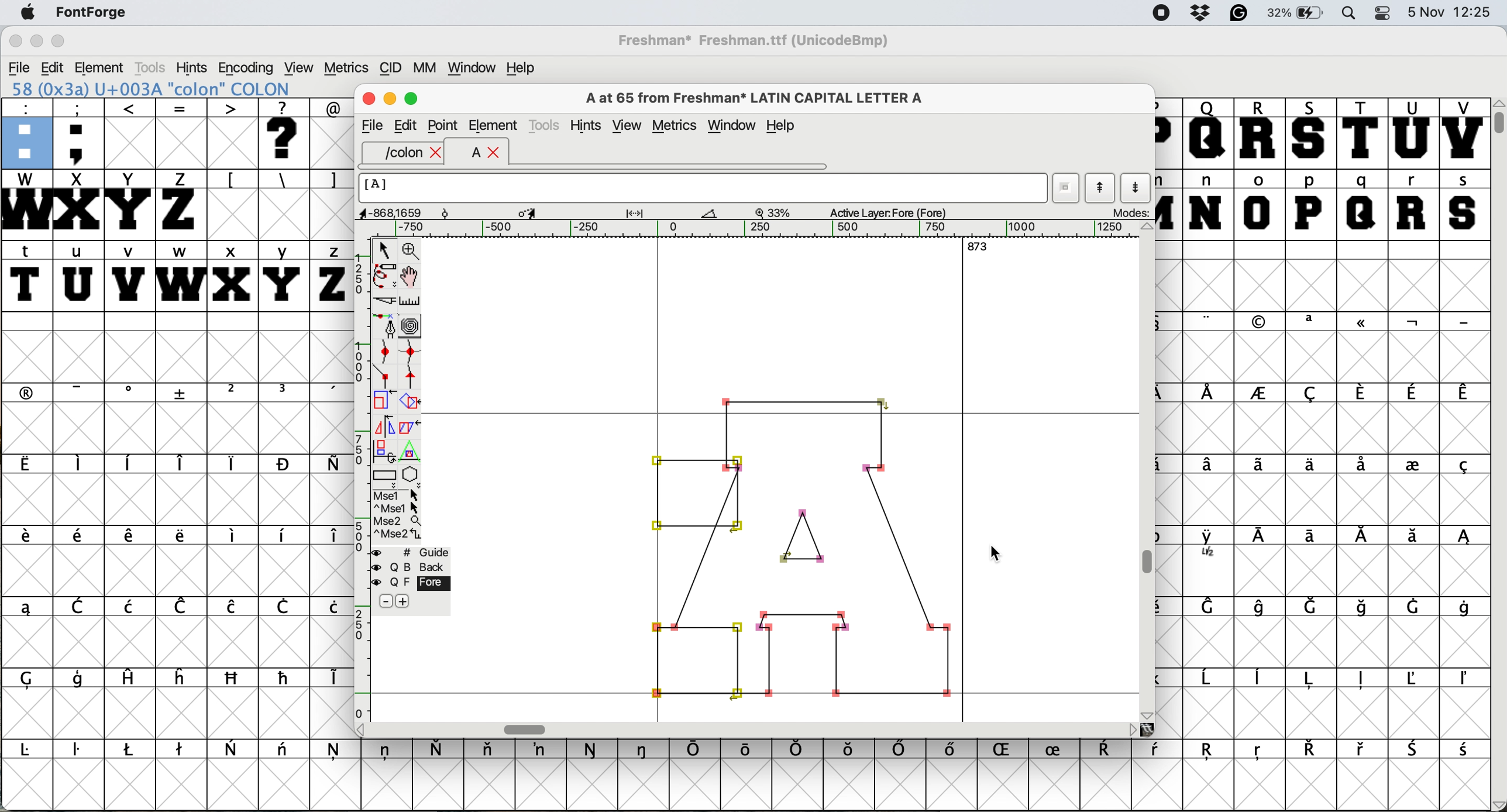  I want to click on show previous character, so click(1097, 184).